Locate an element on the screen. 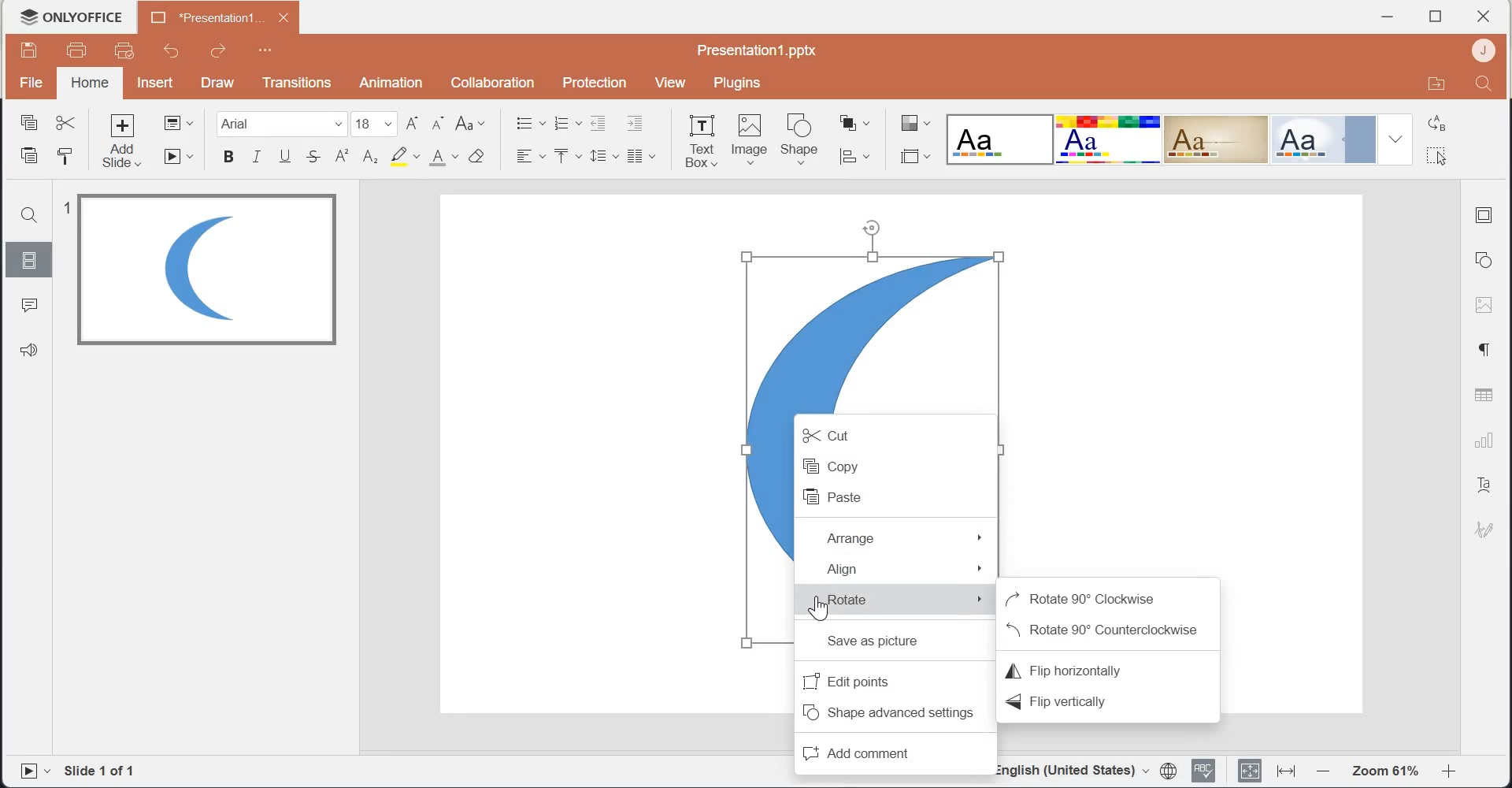 The image size is (1512, 788). Customize Quick Access Toolbar is located at coordinates (262, 50).